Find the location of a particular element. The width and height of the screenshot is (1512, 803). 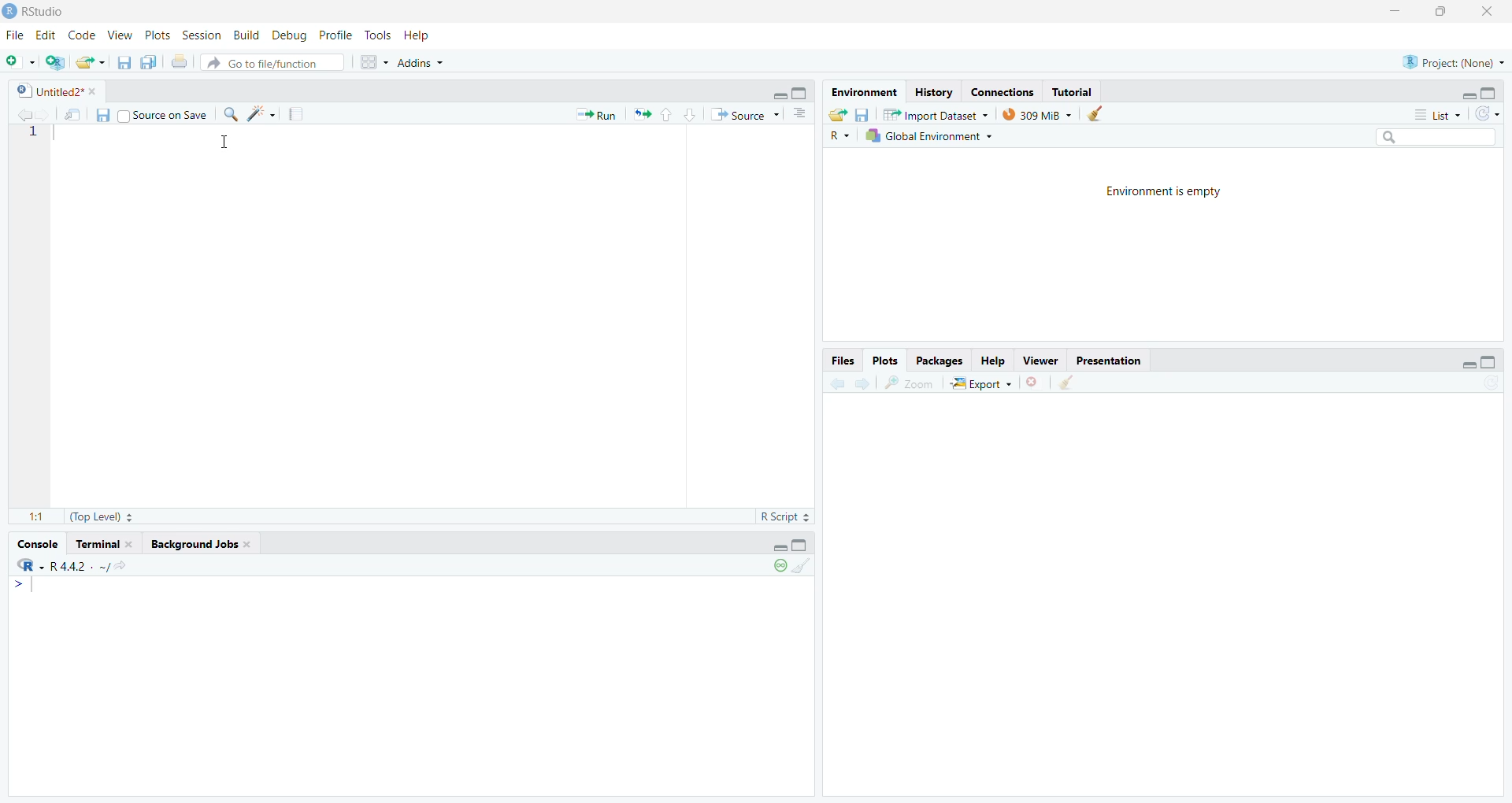

) RStudio is located at coordinates (38, 11).